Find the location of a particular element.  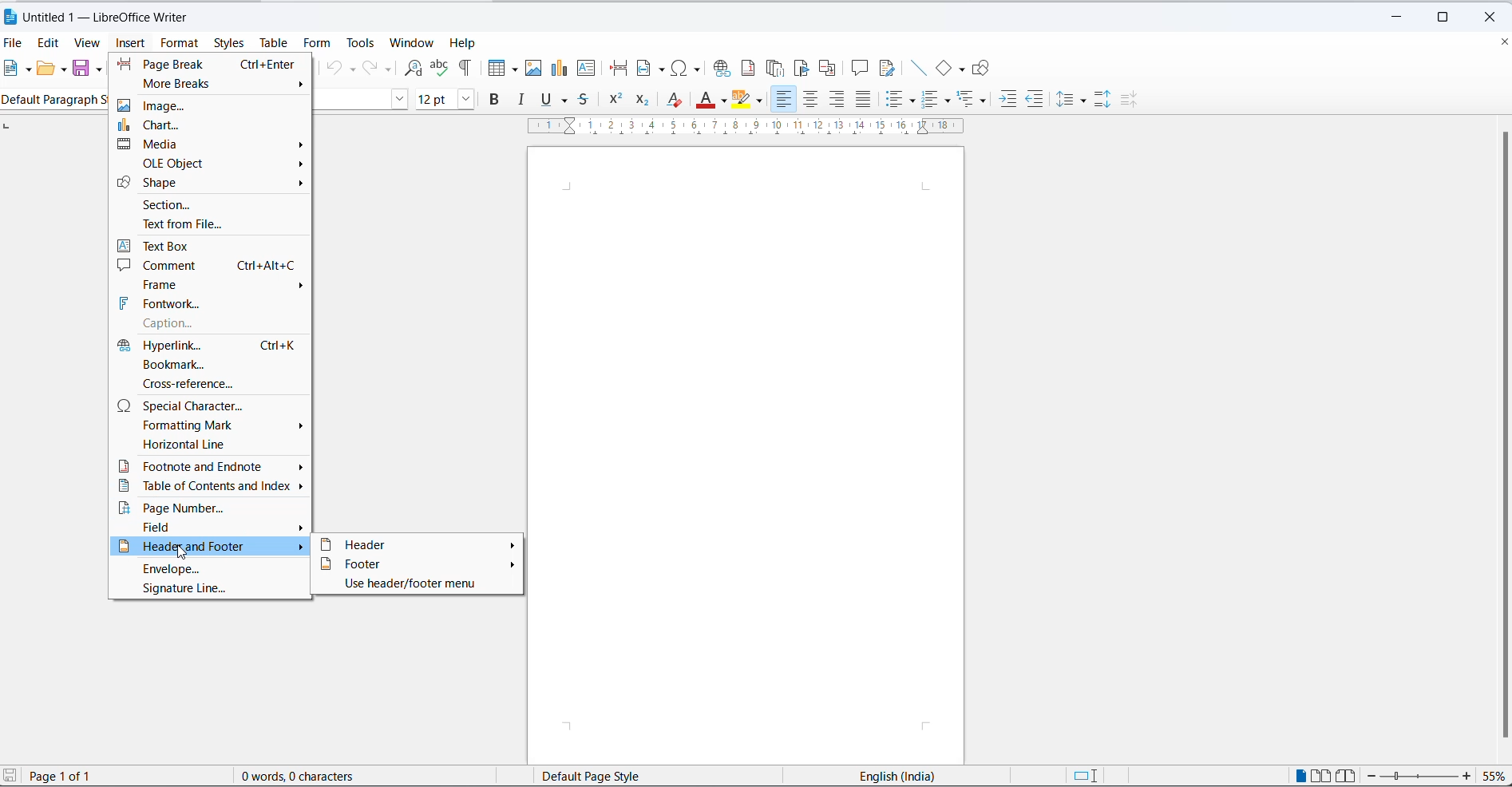

special character is located at coordinates (214, 404).